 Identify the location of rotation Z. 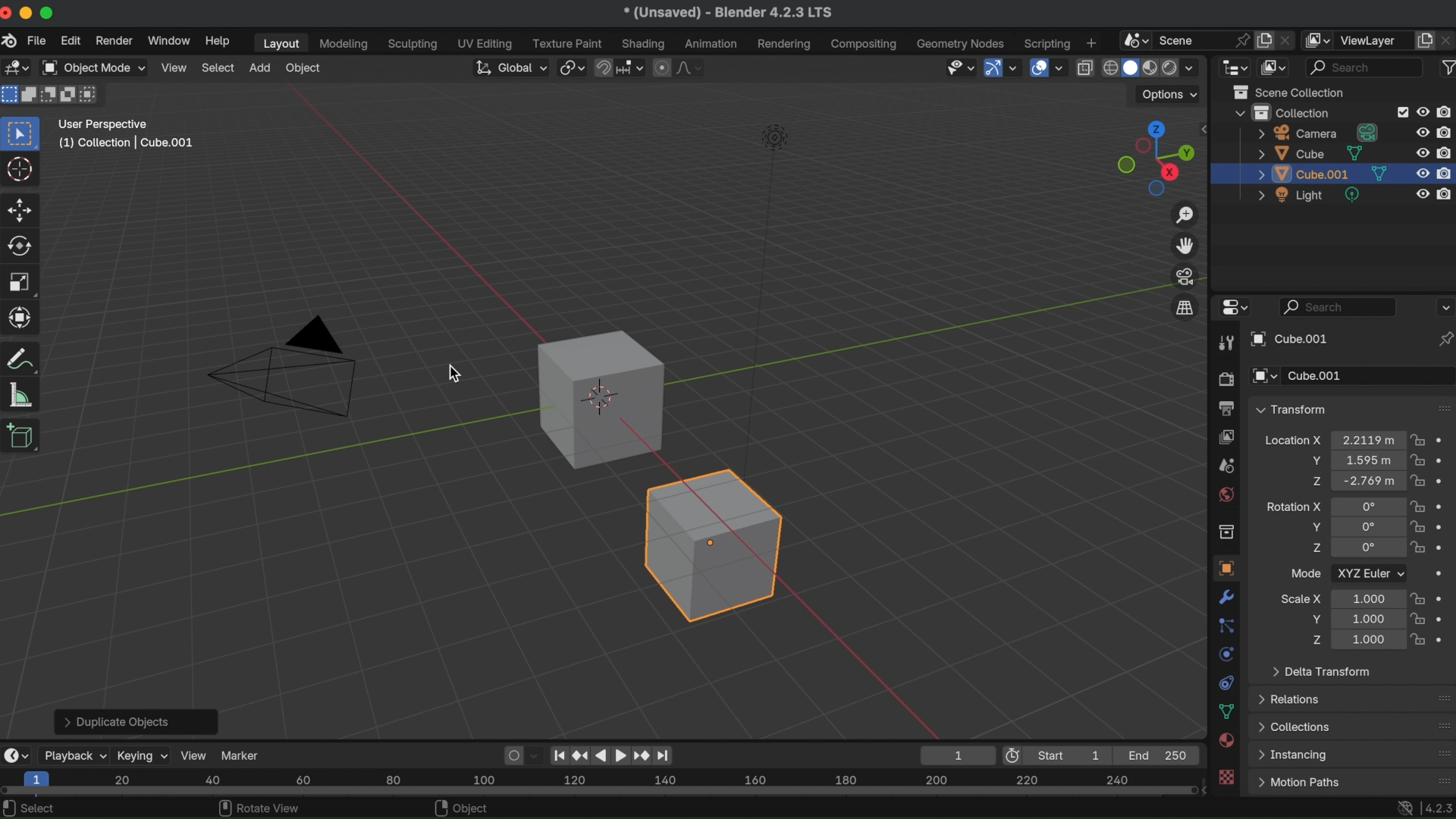
(1316, 550).